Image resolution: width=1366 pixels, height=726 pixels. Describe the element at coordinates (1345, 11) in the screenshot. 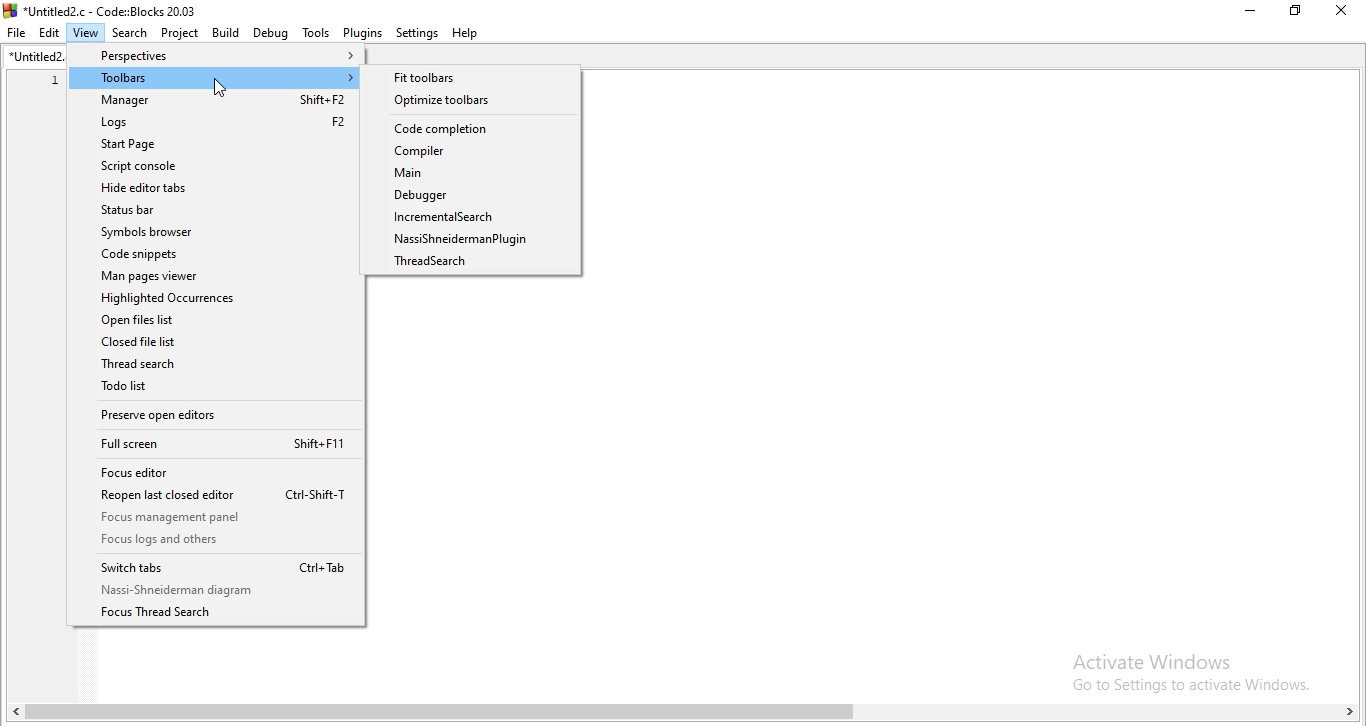

I see `close` at that location.